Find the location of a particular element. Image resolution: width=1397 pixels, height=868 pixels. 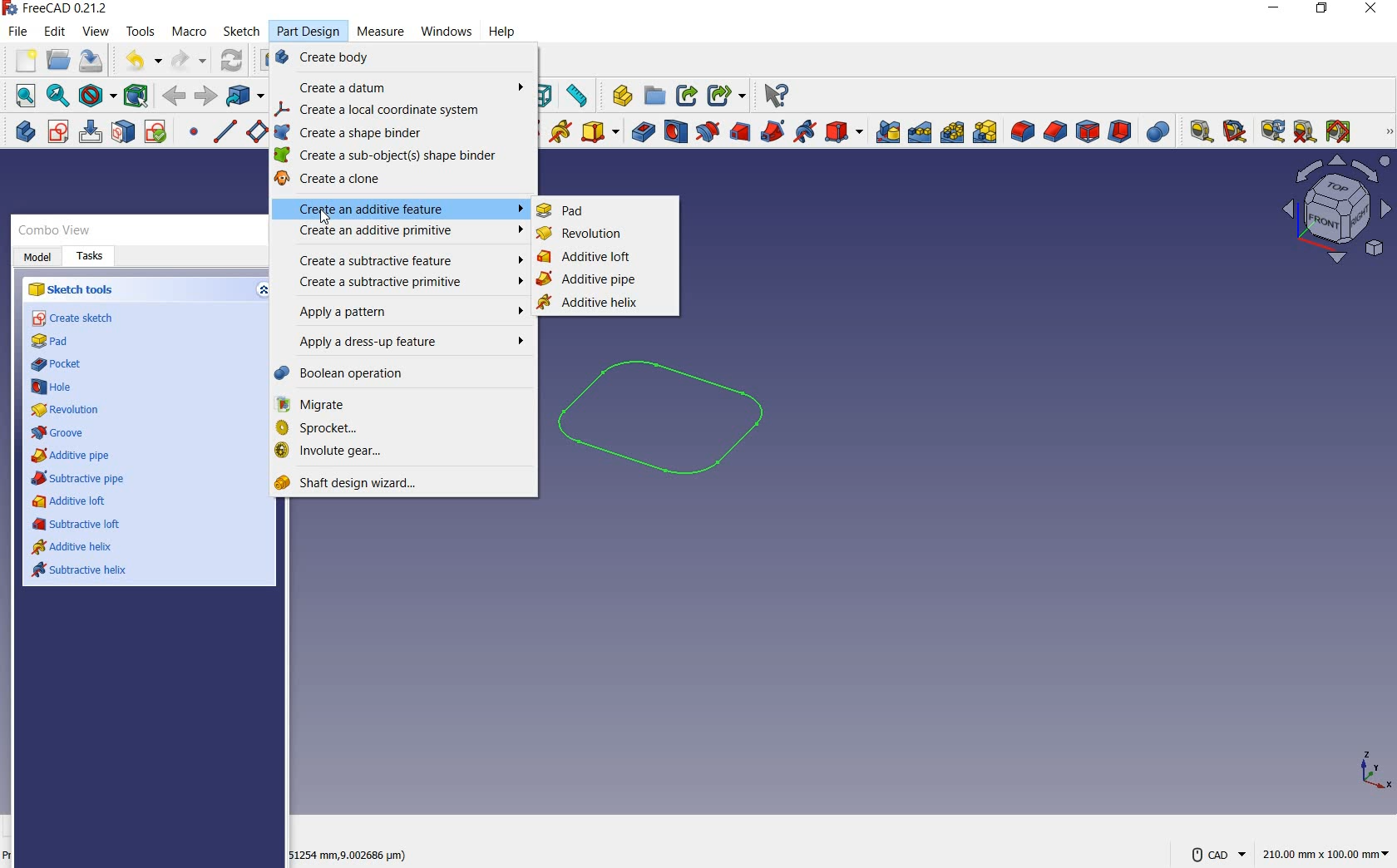

view is located at coordinates (96, 32).